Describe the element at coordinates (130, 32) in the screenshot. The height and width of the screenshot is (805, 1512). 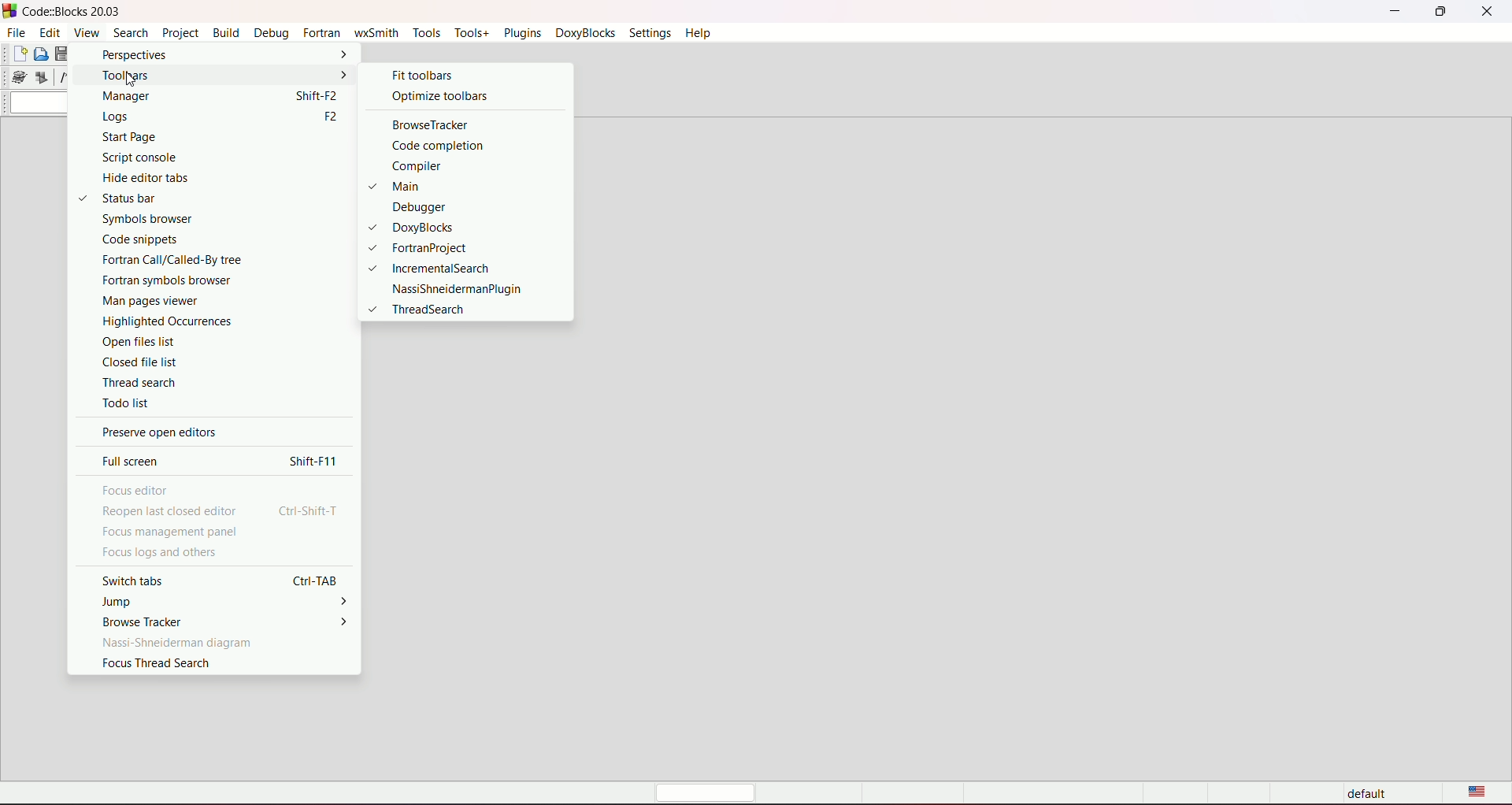
I see `search` at that location.